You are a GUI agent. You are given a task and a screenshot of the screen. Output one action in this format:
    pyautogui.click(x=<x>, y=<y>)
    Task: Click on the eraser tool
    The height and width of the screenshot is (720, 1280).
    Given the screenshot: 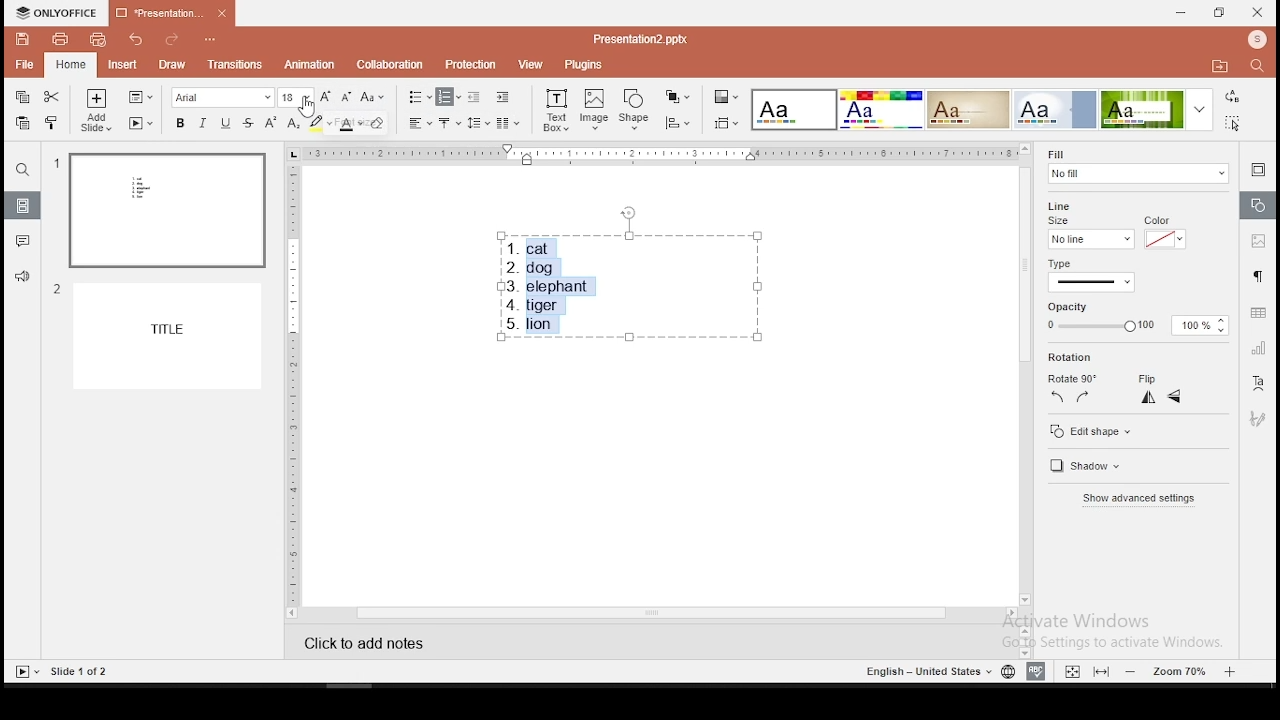 What is the action you would take?
    pyautogui.click(x=378, y=125)
    